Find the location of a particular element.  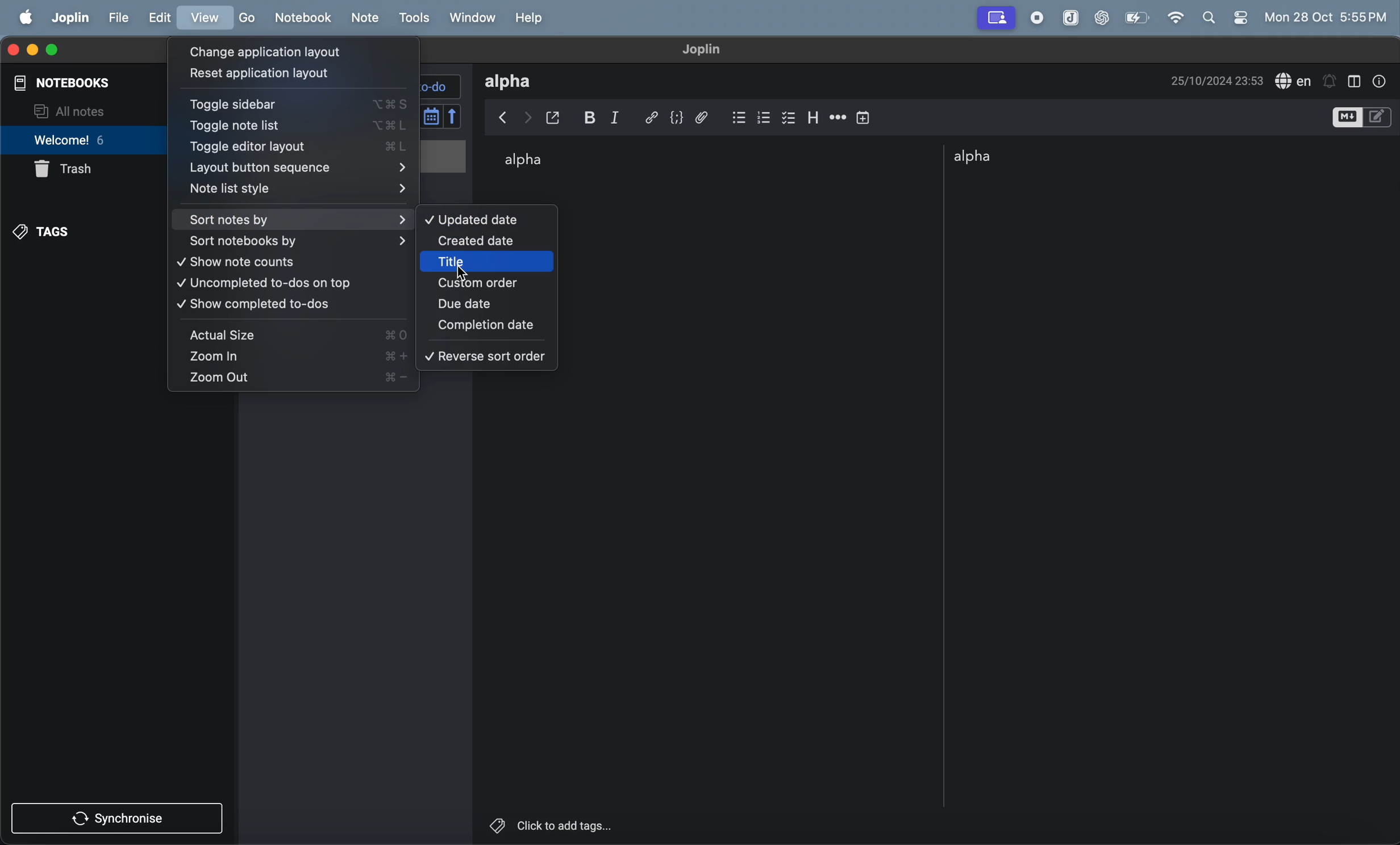

joplin icon is located at coordinates (1069, 18).